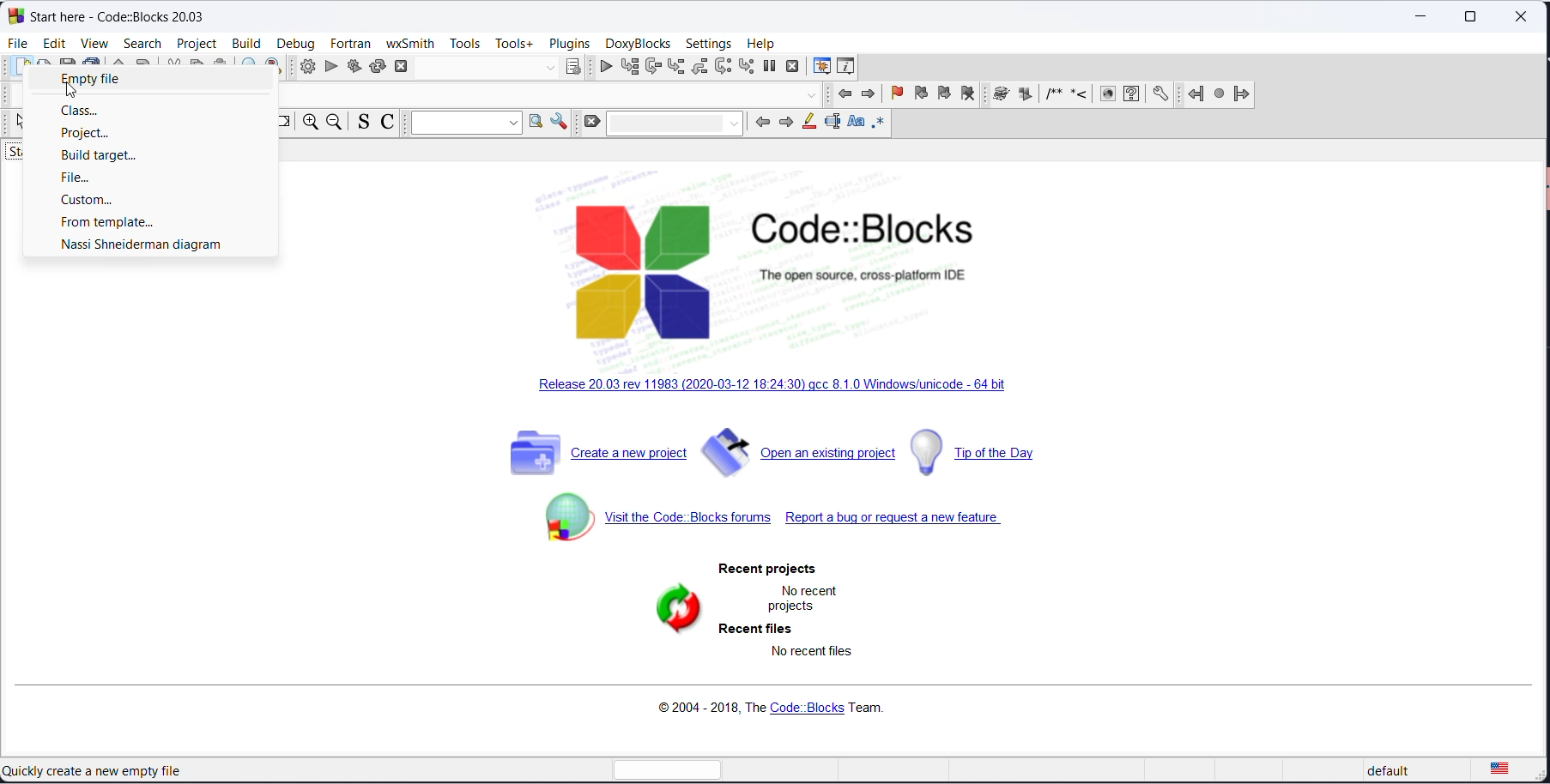 Image resolution: width=1550 pixels, height=784 pixels. Describe the element at coordinates (94, 43) in the screenshot. I see `View` at that location.